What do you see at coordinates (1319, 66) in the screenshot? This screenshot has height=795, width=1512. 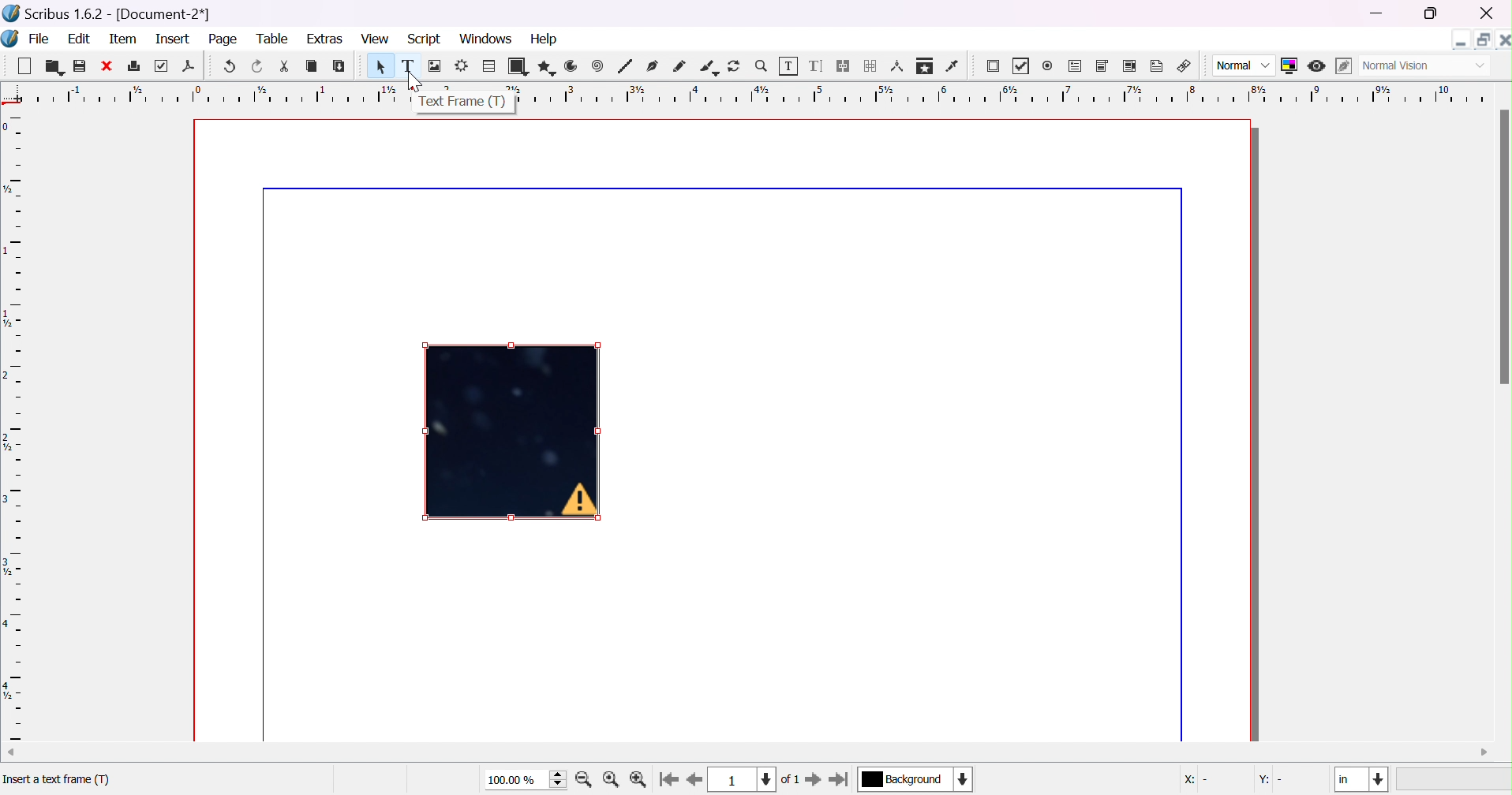 I see `preview mode` at bounding box center [1319, 66].